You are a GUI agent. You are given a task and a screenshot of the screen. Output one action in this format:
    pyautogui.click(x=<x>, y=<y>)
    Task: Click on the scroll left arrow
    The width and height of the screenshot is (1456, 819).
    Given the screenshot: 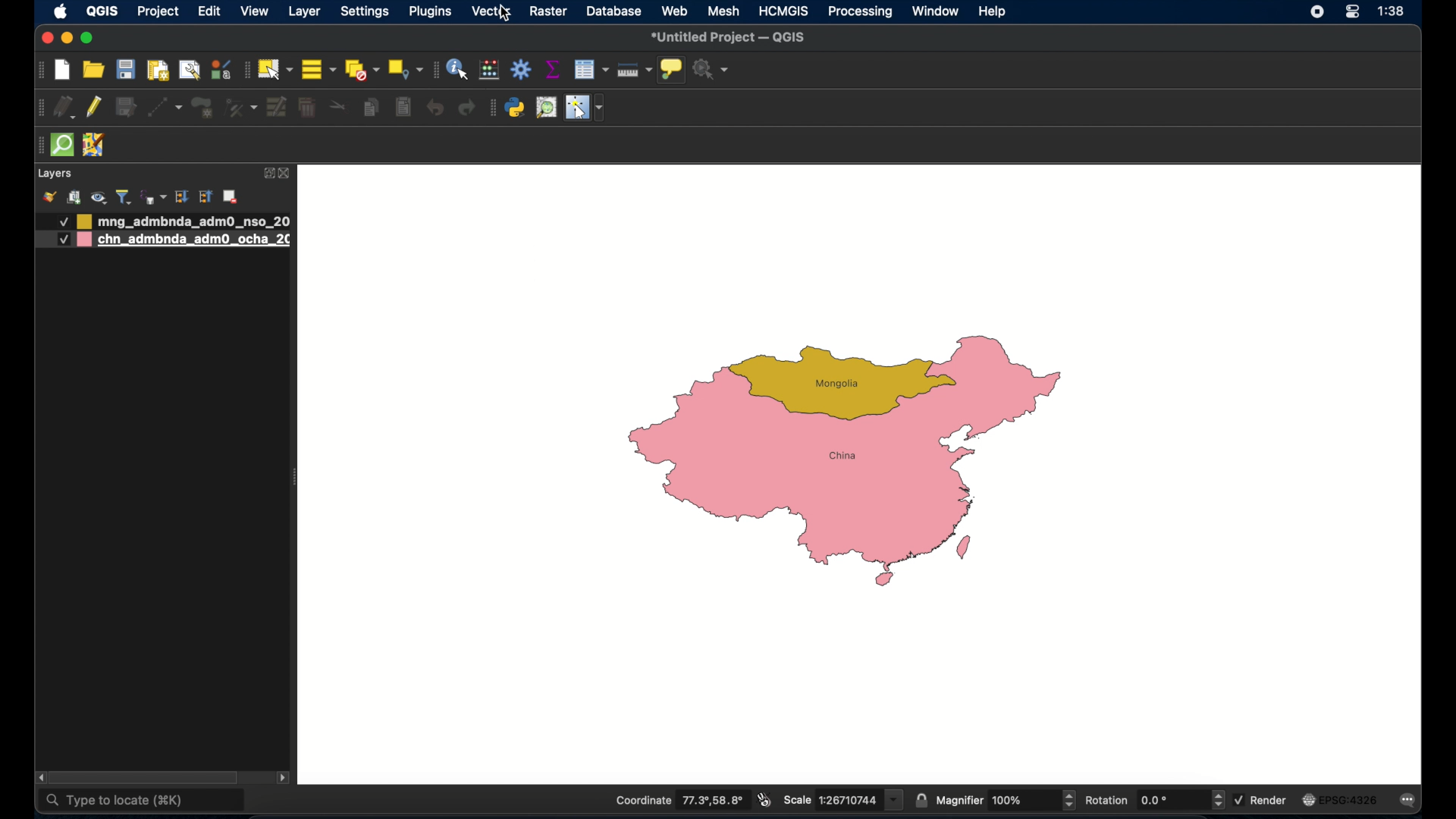 What is the action you would take?
    pyautogui.click(x=40, y=777)
    